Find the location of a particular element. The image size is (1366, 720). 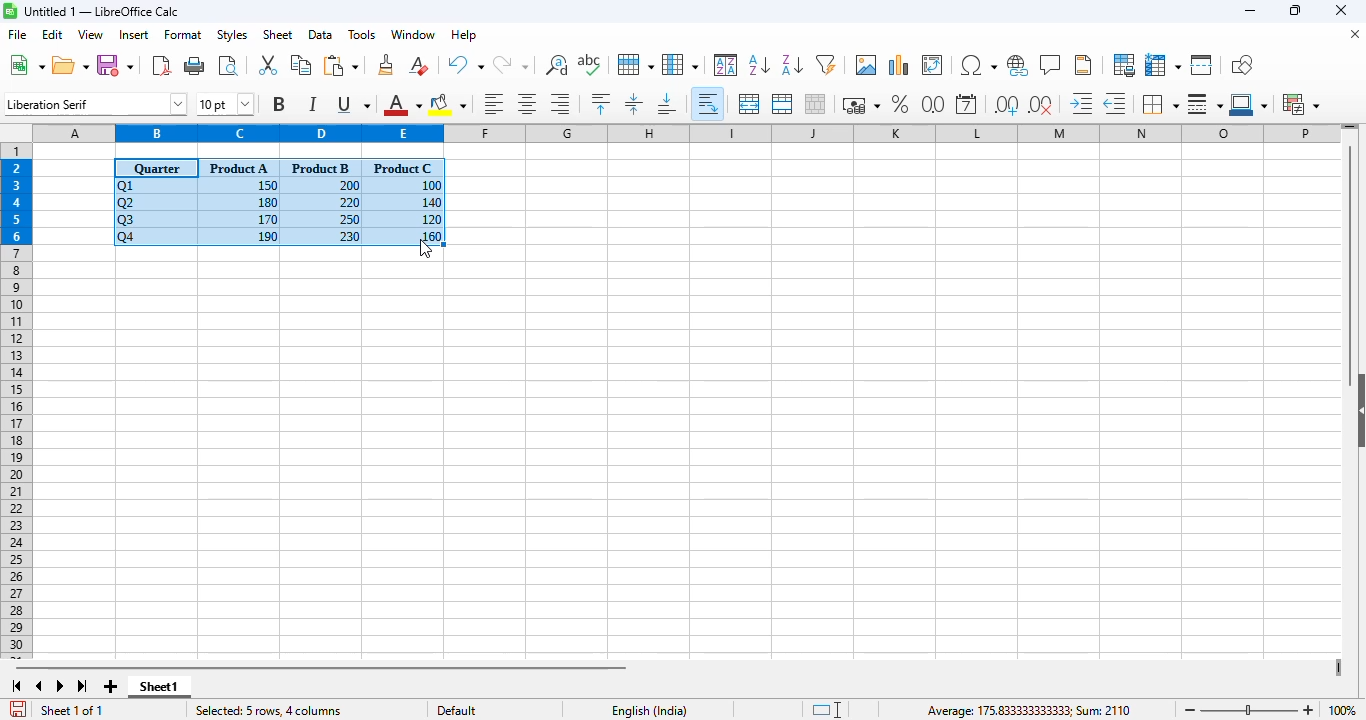

copy is located at coordinates (301, 65).